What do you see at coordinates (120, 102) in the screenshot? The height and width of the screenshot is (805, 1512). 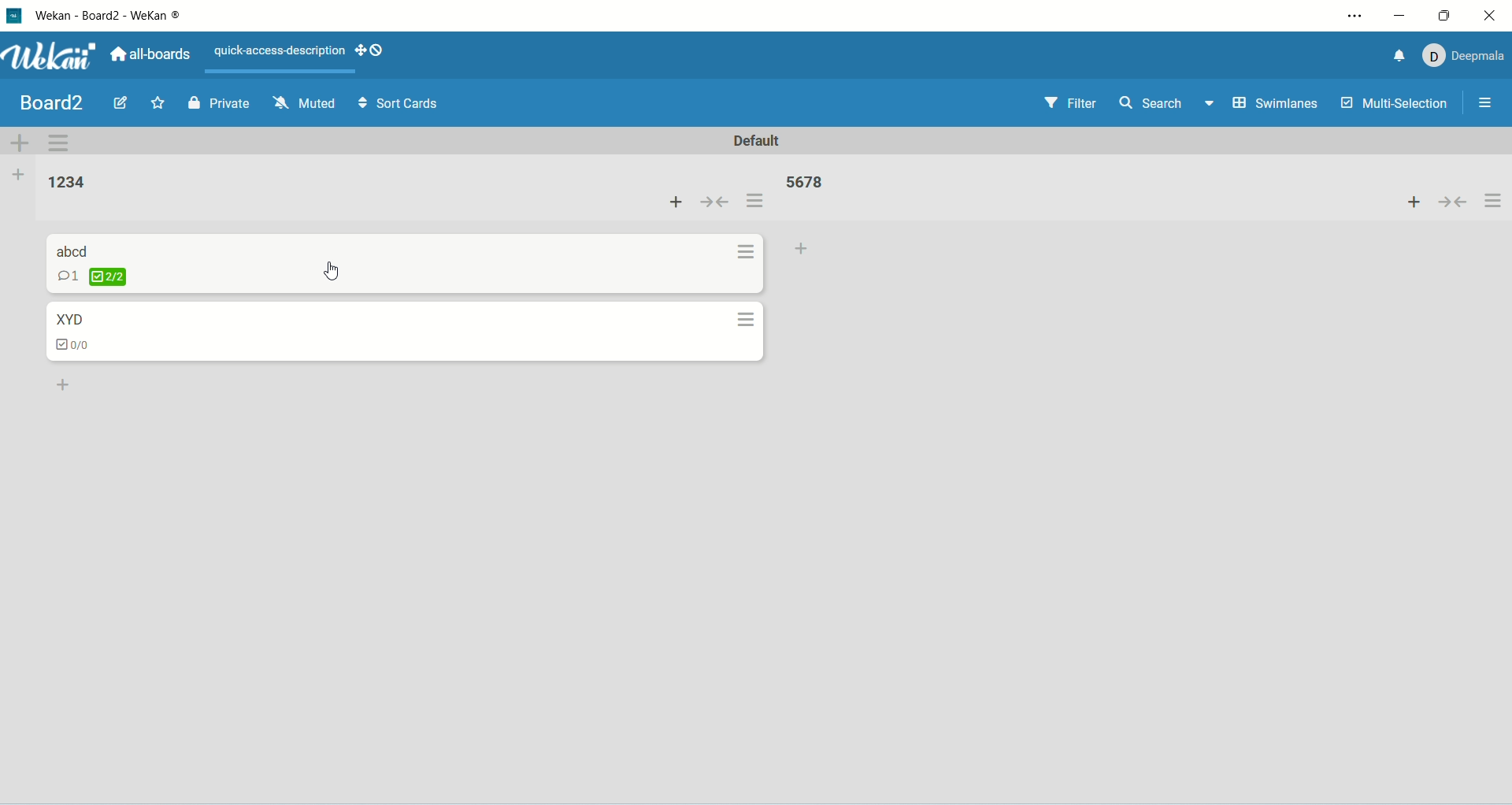 I see `edit` at bounding box center [120, 102].